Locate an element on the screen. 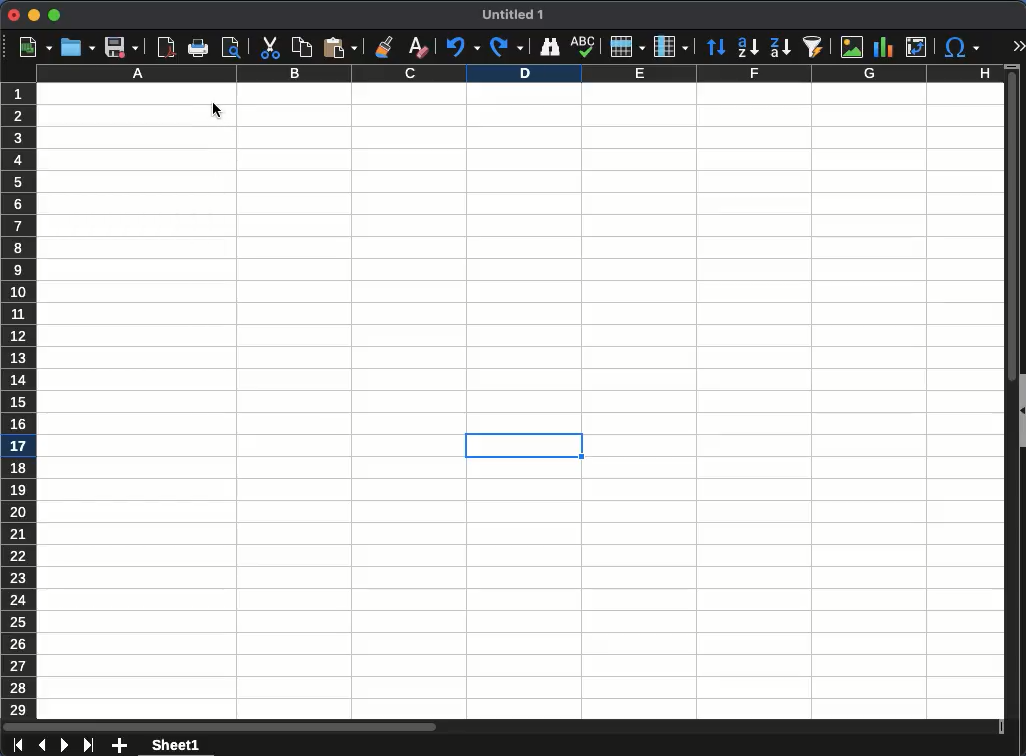 Image resolution: width=1026 pixels, height=756 pixels. filter is located at coordinates (816, 47).